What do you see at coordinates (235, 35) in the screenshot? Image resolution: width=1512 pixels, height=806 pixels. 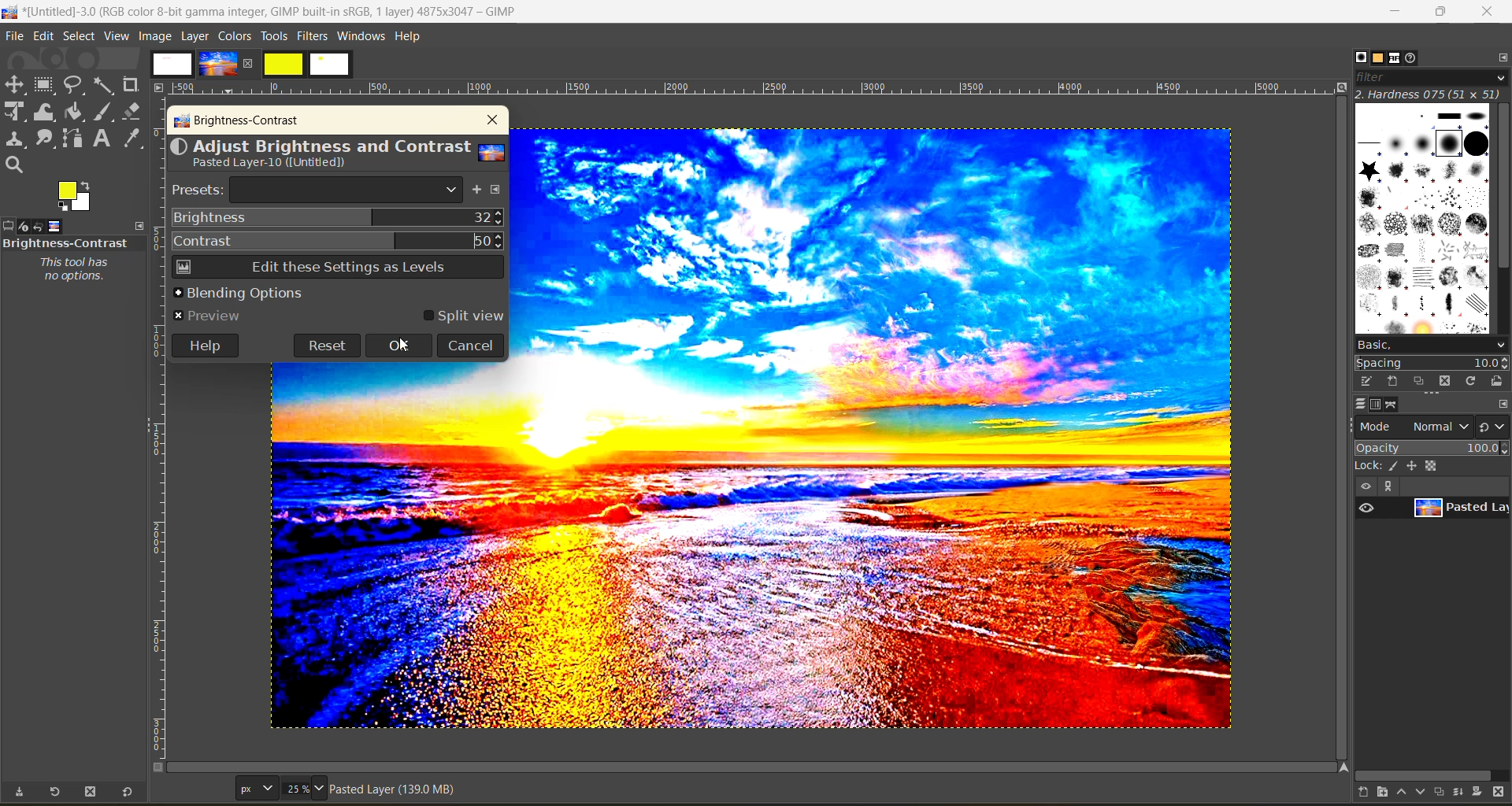 I see `colors` at bounding box center [235, 35].